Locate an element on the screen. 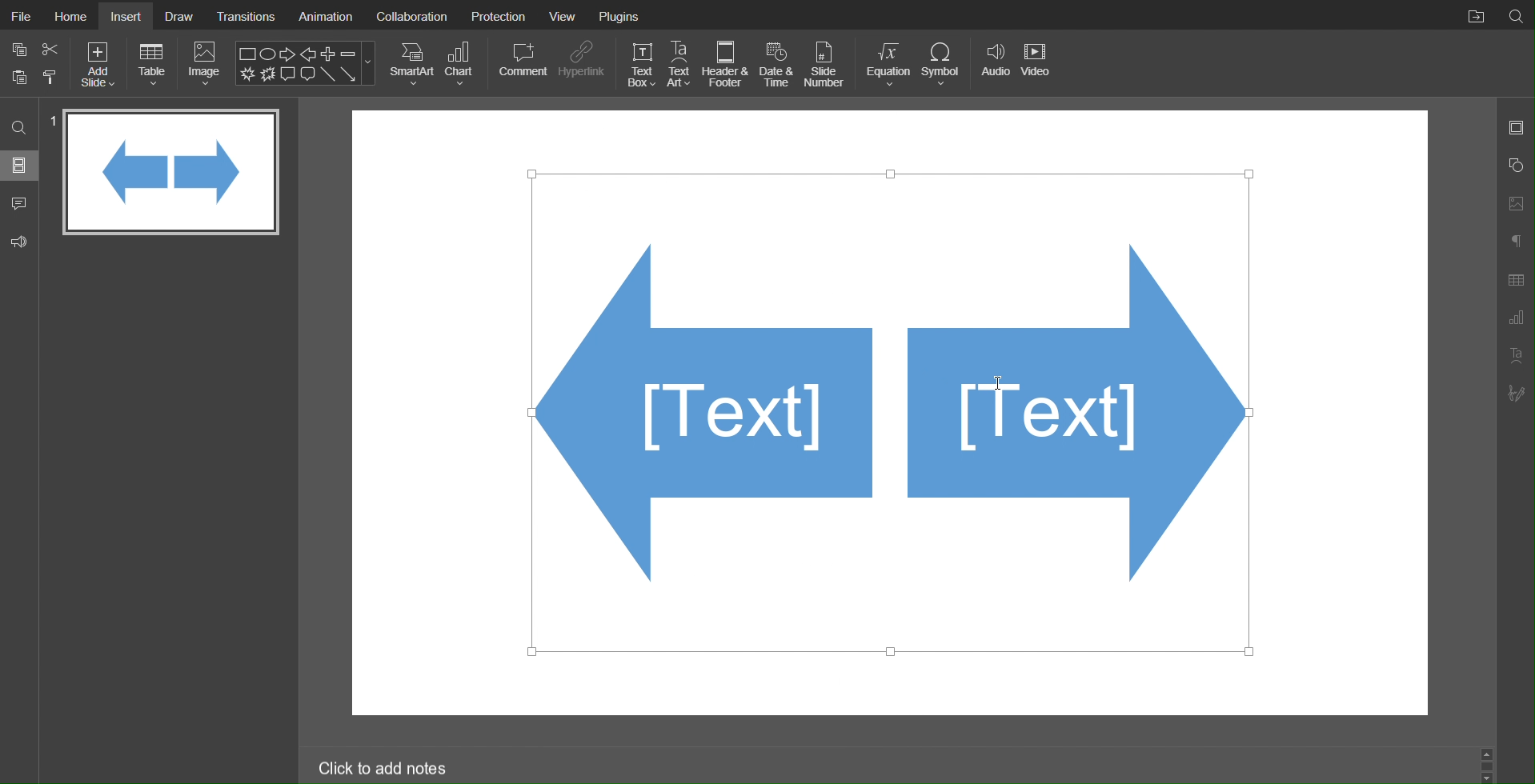  paste is located at coordinates (18, 78).